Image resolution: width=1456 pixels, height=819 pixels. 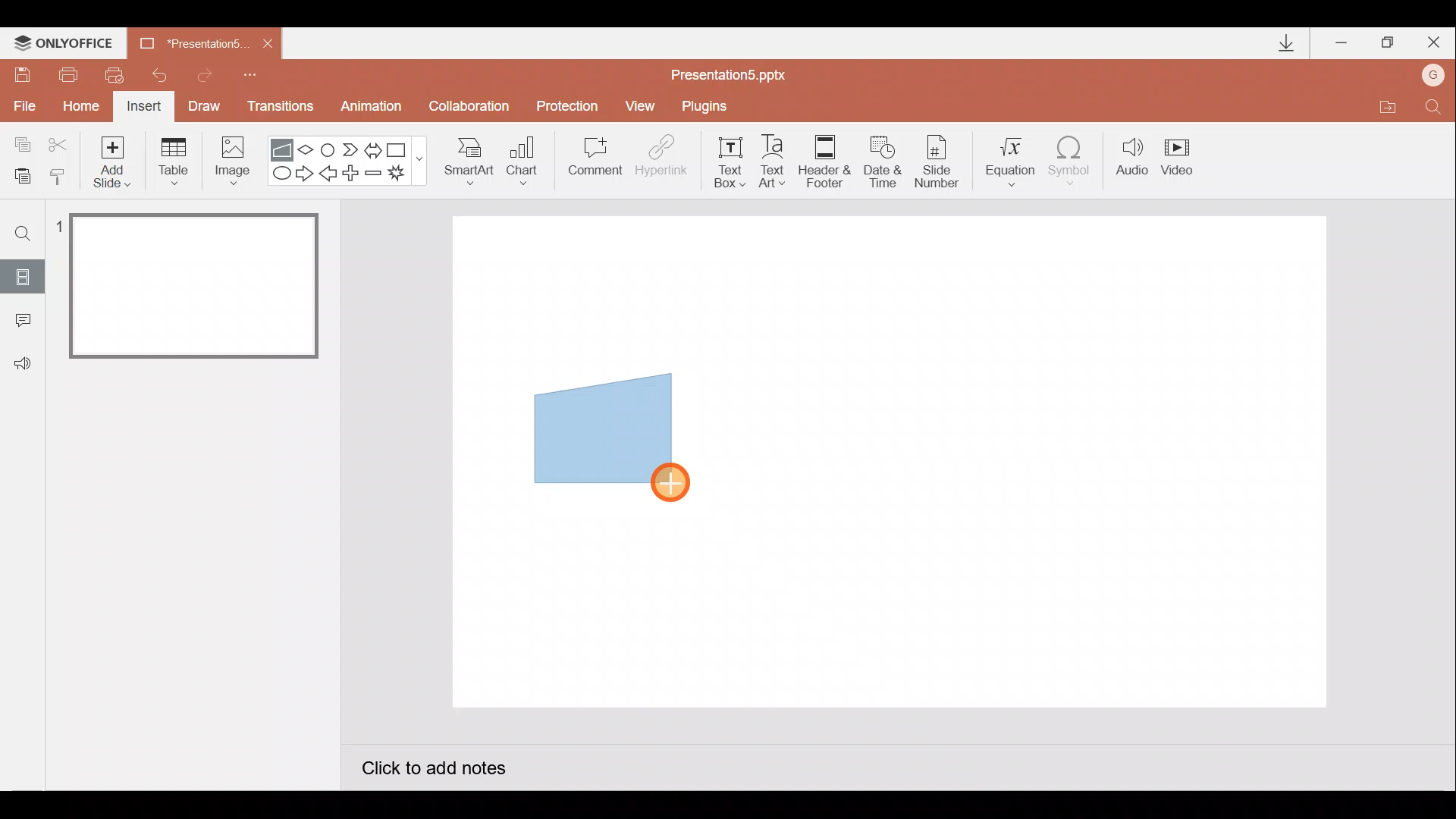 What do you see at coordinates (593, 162) in the screenshot?
I see `Comment` at bounding box center [593, 162].